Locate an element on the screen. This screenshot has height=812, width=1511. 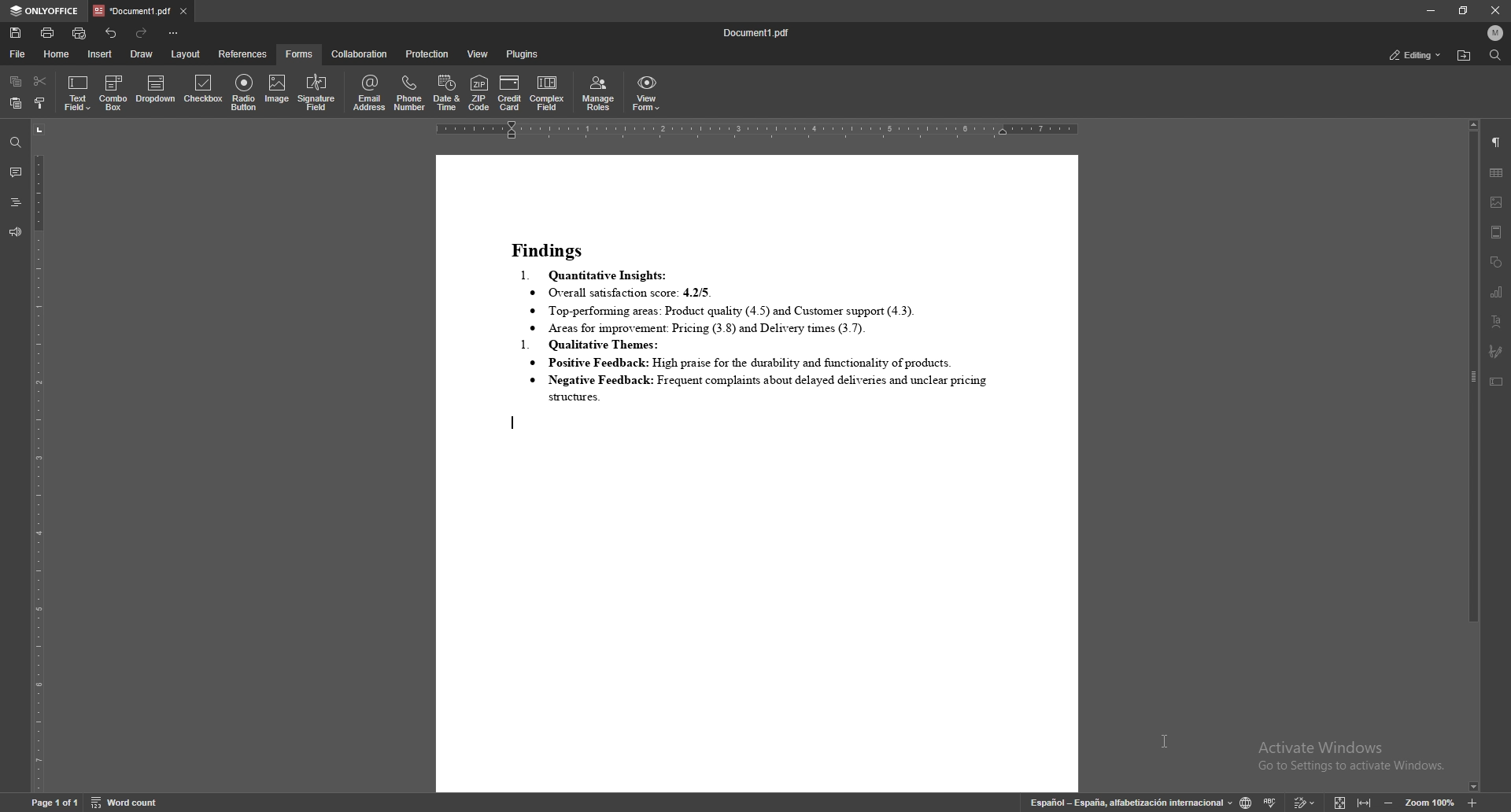
close is located at coordinates (1493, 10).